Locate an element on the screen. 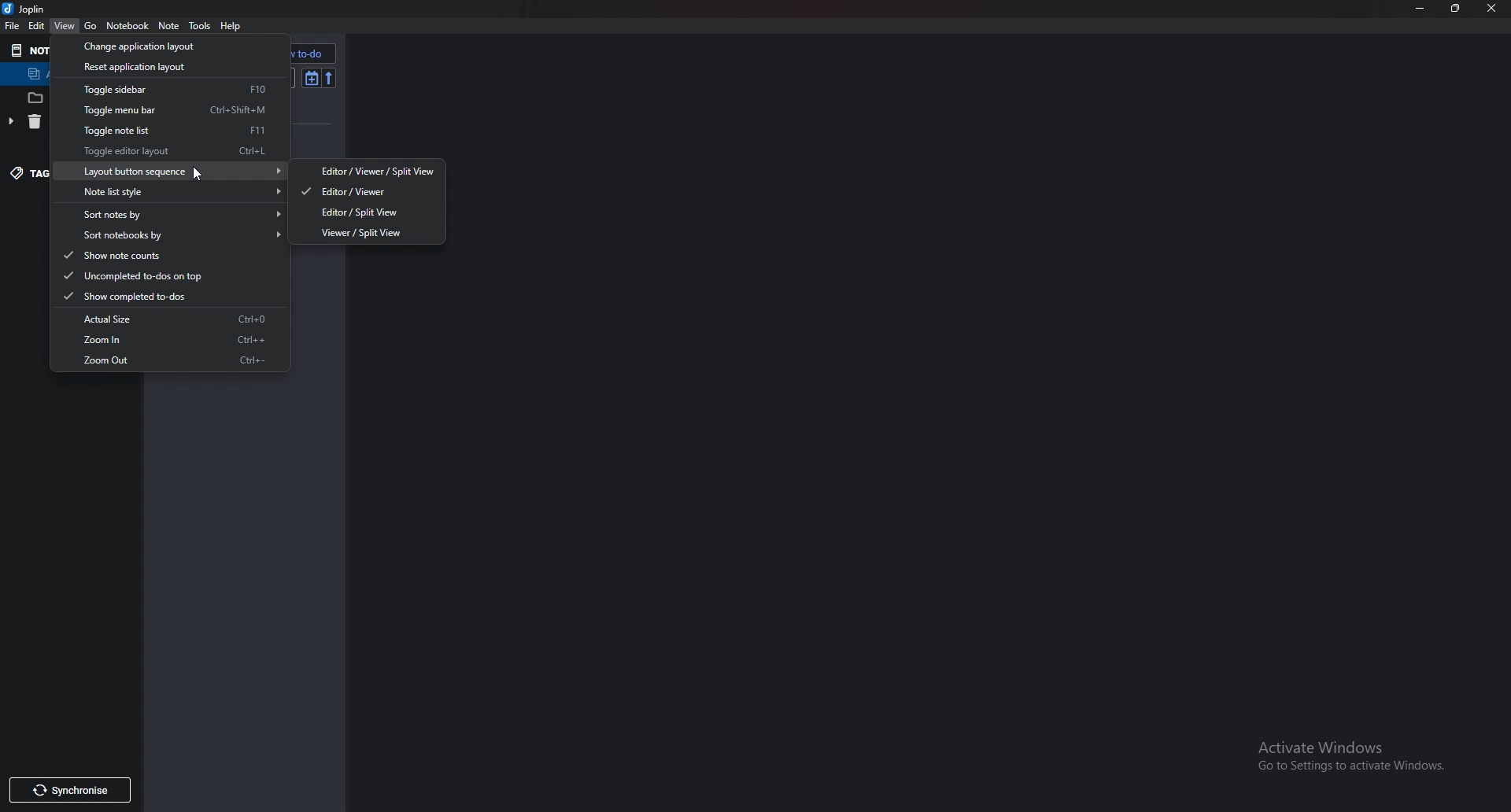 The image size is (1511, 812). Zoom in is located at coordinates (172, 340).